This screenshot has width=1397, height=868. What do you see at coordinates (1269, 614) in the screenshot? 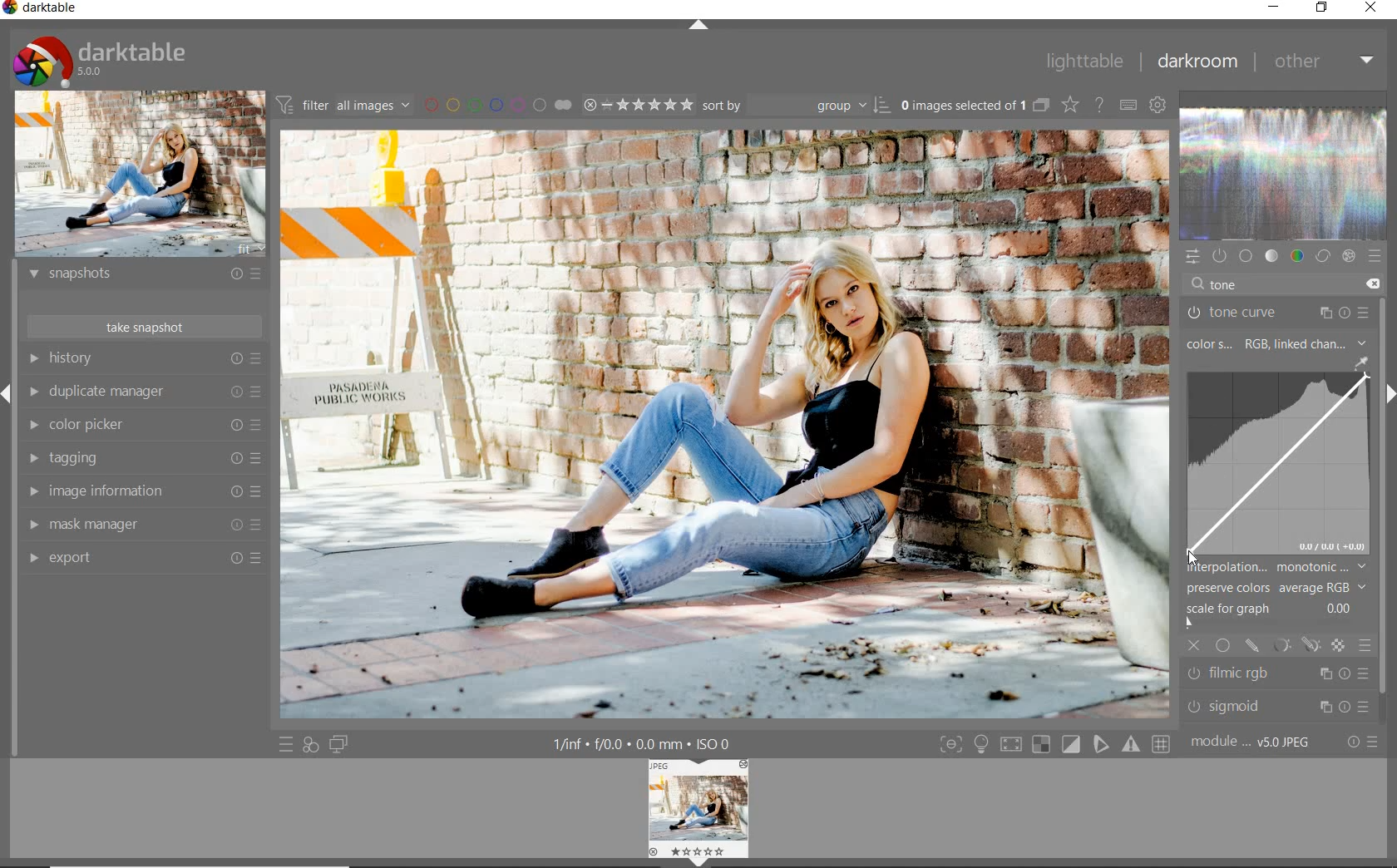
I see `scale for graph` at bounding box center [1269, 614].